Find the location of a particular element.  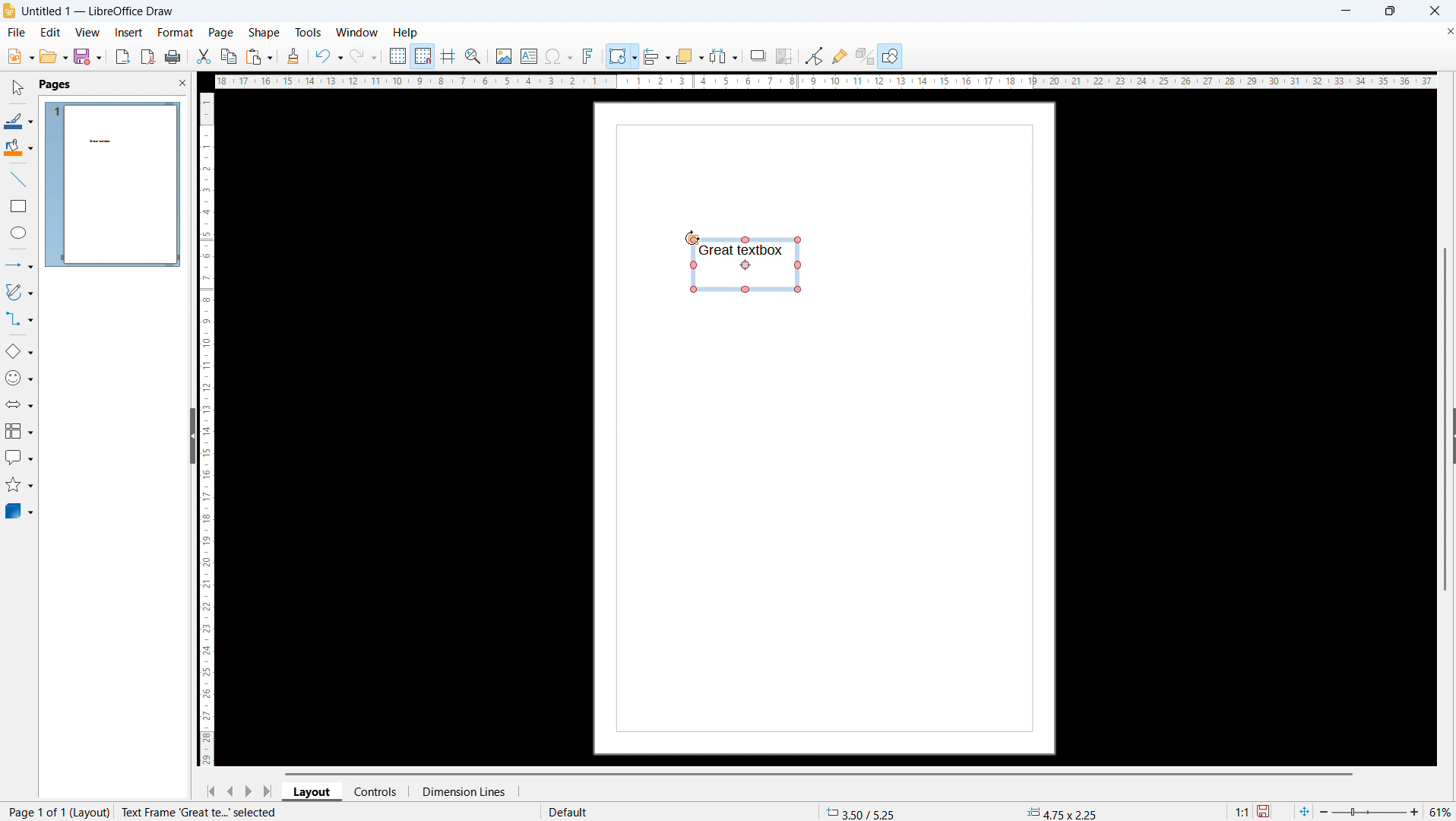

undo is located at coordinates (328, 55).